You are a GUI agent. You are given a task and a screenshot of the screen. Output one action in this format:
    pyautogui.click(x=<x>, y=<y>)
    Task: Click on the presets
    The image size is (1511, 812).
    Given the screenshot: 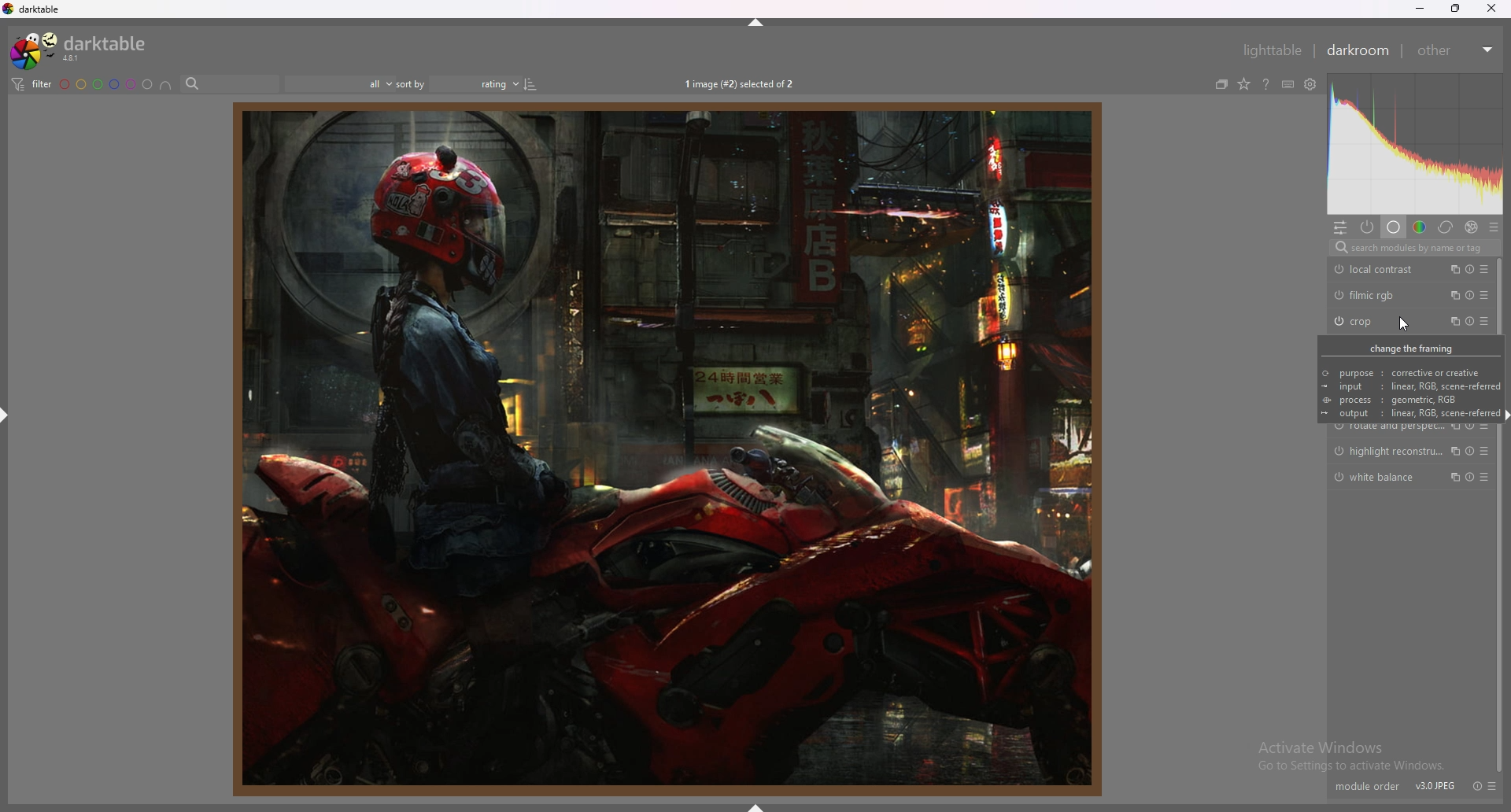 What is the action you would take?
    pyautogui.click(x=1493, y=227)
    